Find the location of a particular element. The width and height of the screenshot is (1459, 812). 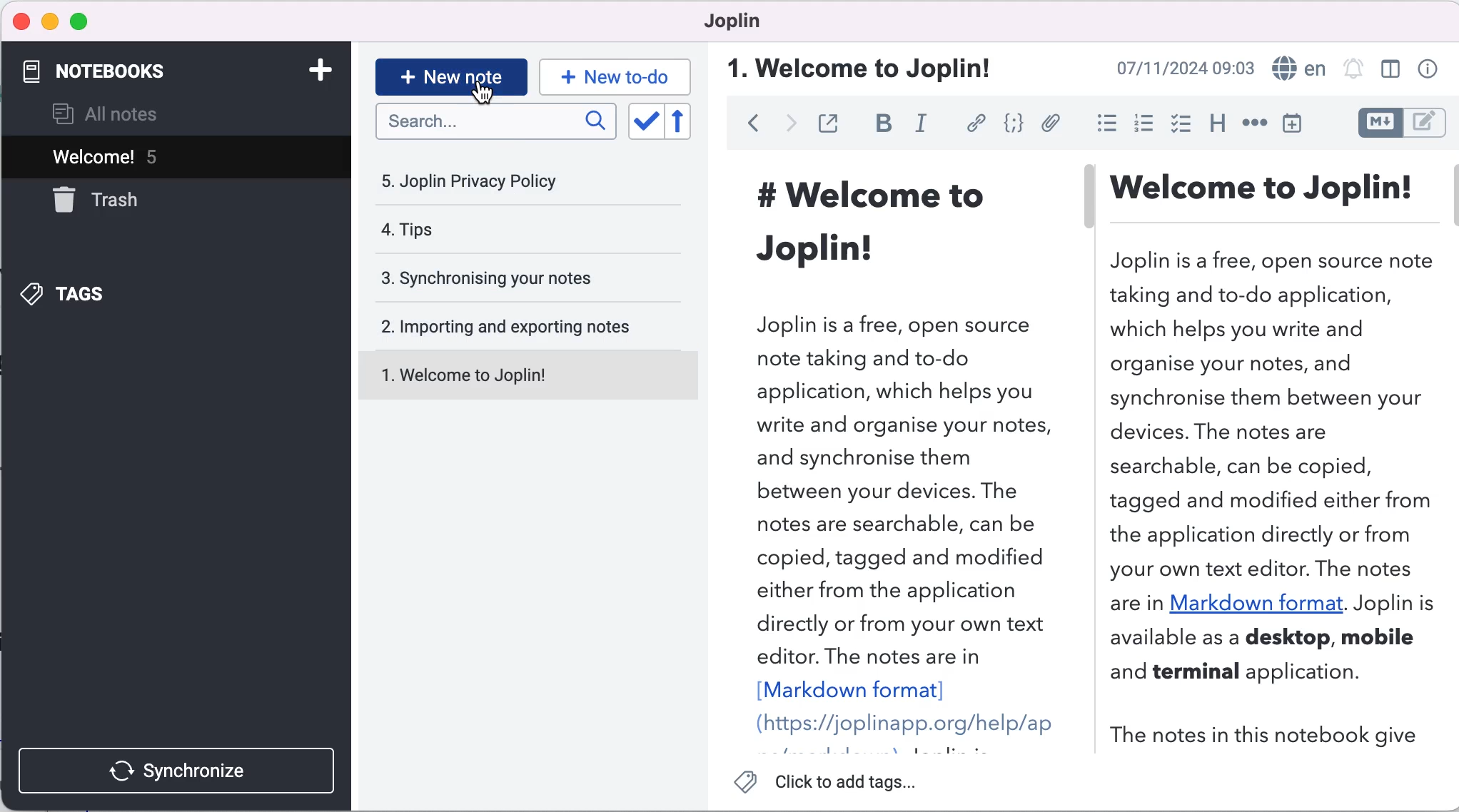

Welcome to Joplin!
Joplin is a free, open source note
taking and to-do application,
which helps you write and
organise your notes, and
synchronise them between your
devices. The notes are
searchable, can be copied,
tagged and modified either from
the application directly or from
your own text editor. The notes
are in Markdown format. Joplin is
available as a desktop, mobile
and terminal application.

The notes in this notebook give is located at coordinates (1278, 456).